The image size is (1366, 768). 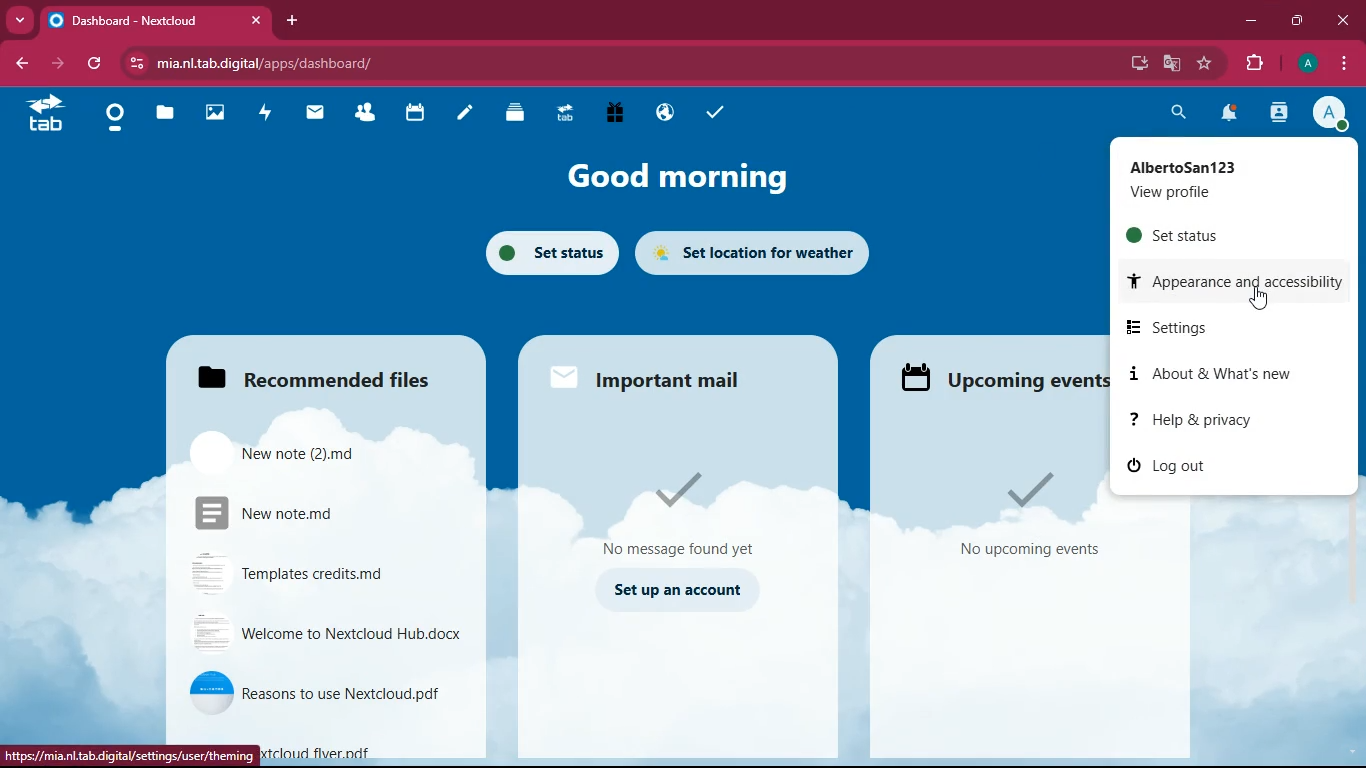 What do you see at coordinates (293, 21) in the screenshot?
I see `add tab` at bounding box center [293, 21].